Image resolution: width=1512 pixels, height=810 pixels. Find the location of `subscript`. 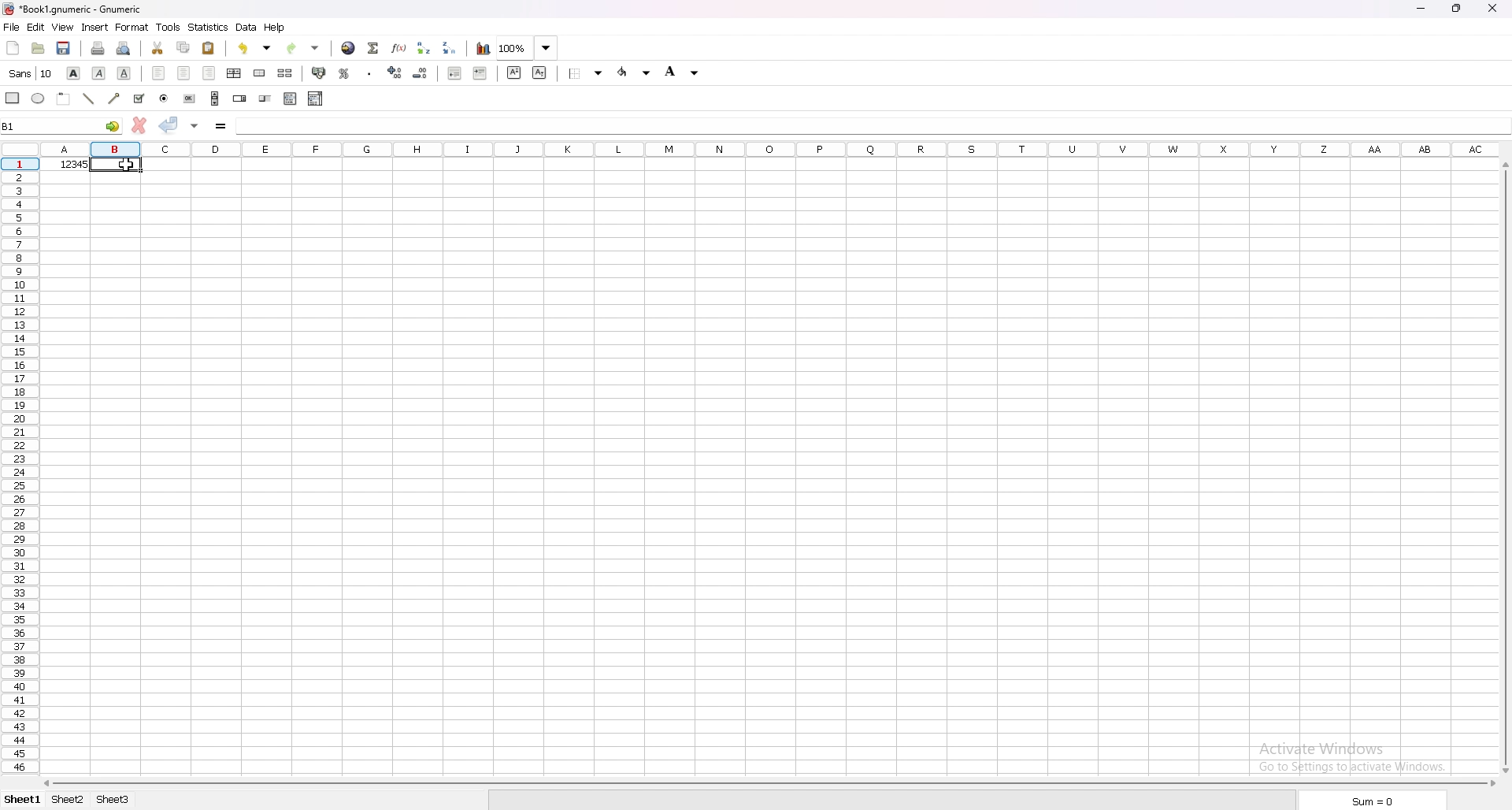

subscript is located at coordinates (539, 72).